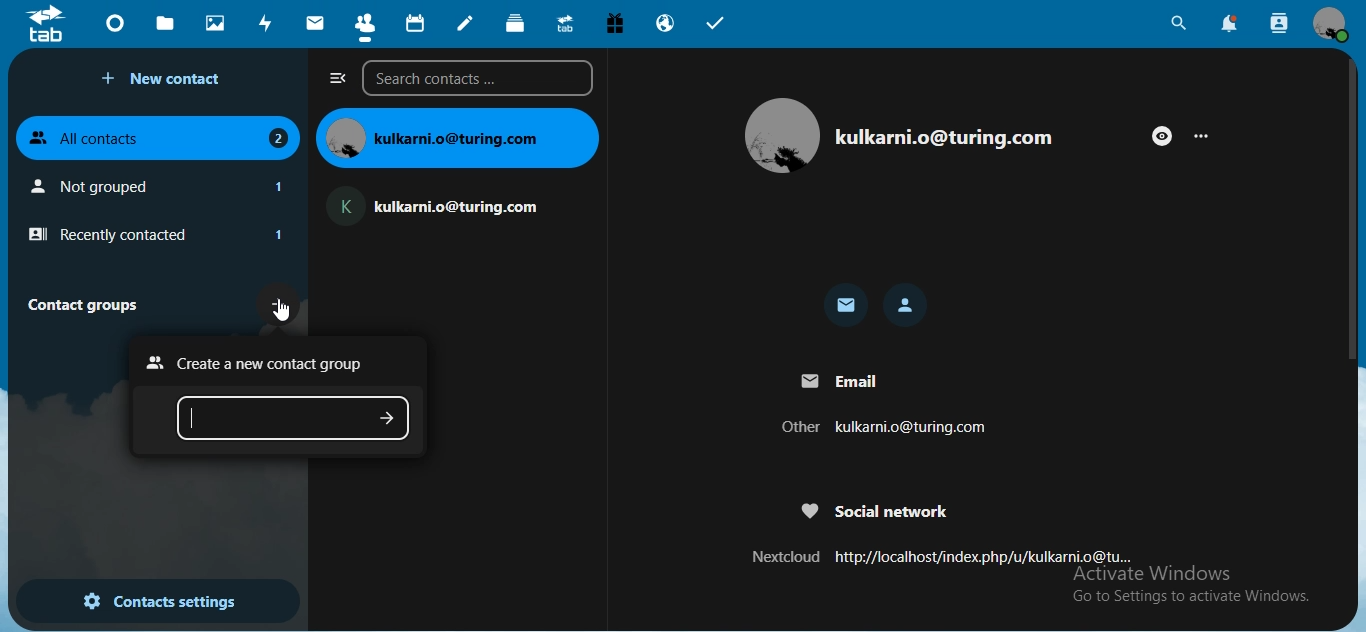  Describe the element at coordinates (937, 555) in the screenshot. I see `Nextcloud  http://localhost/index.php/u/kulkarni.o@tu..` at that location.